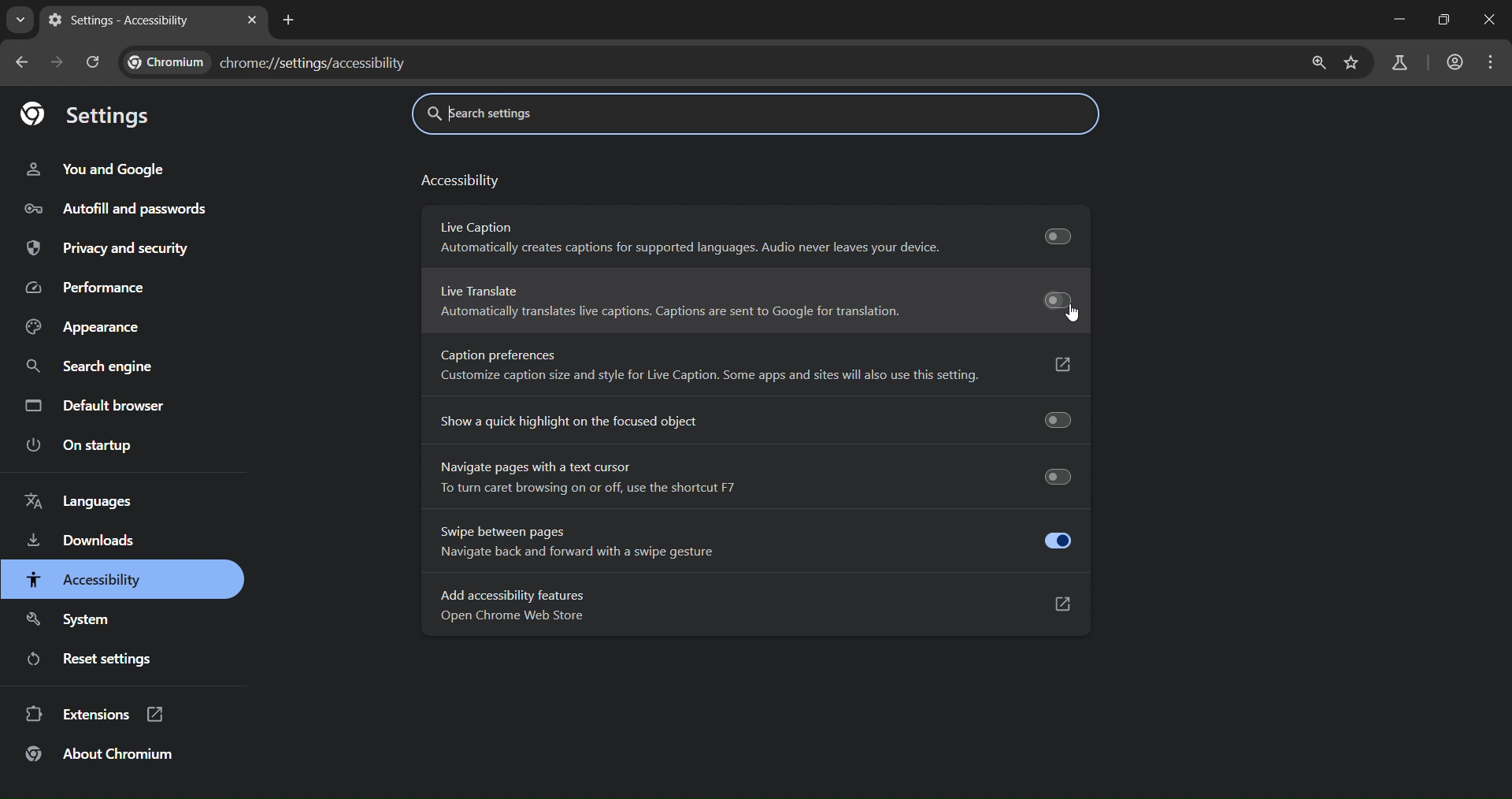 The image size is (1512, 799). Describe the element at coordinates (1352, 61) in the screenshot. I see `bookmark page` at that location.